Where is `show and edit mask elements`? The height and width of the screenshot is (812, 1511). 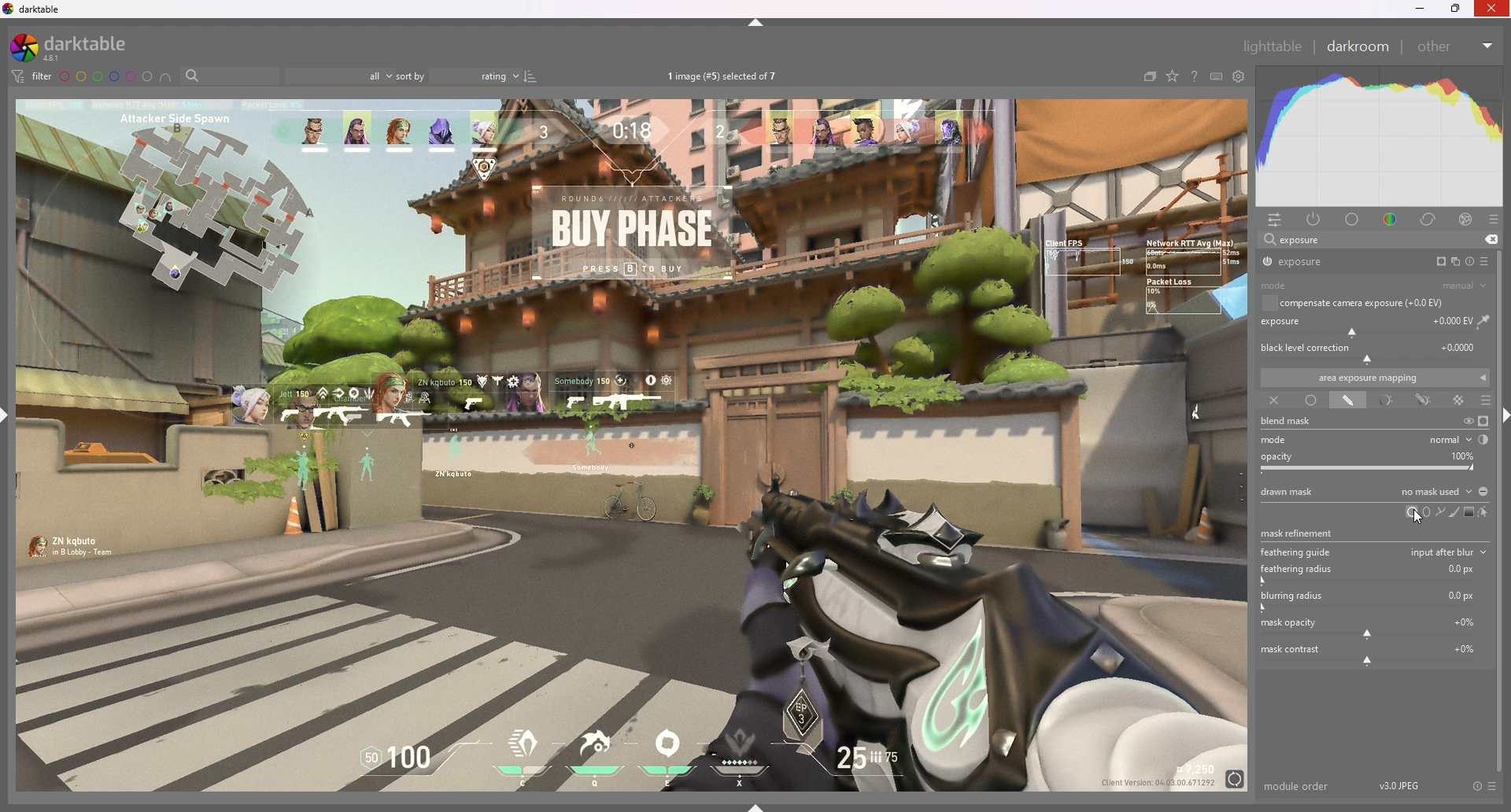 show and edit mask elements is located at coordinates (1484, 512).